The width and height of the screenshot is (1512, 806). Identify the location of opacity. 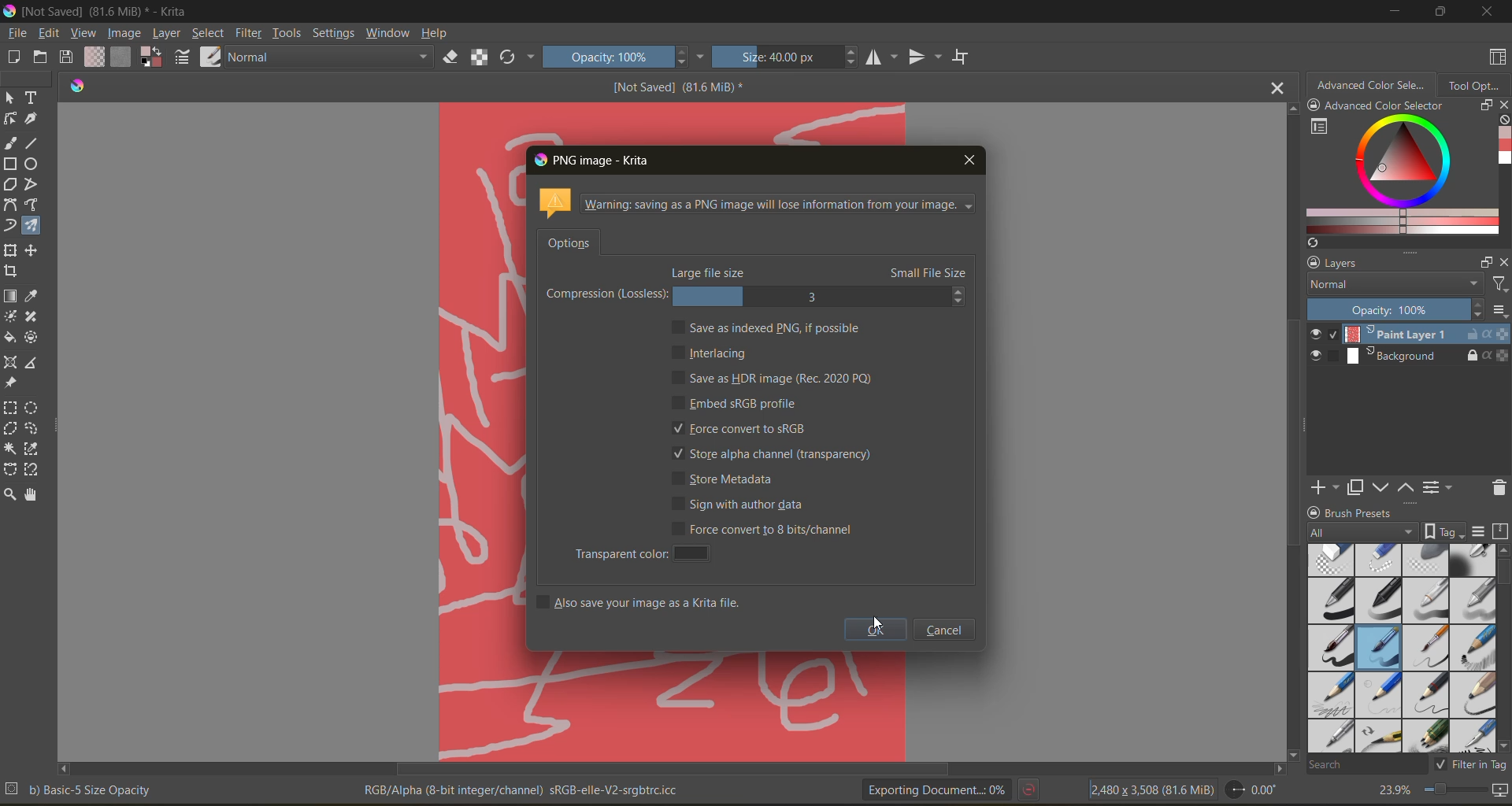
(621, 56).